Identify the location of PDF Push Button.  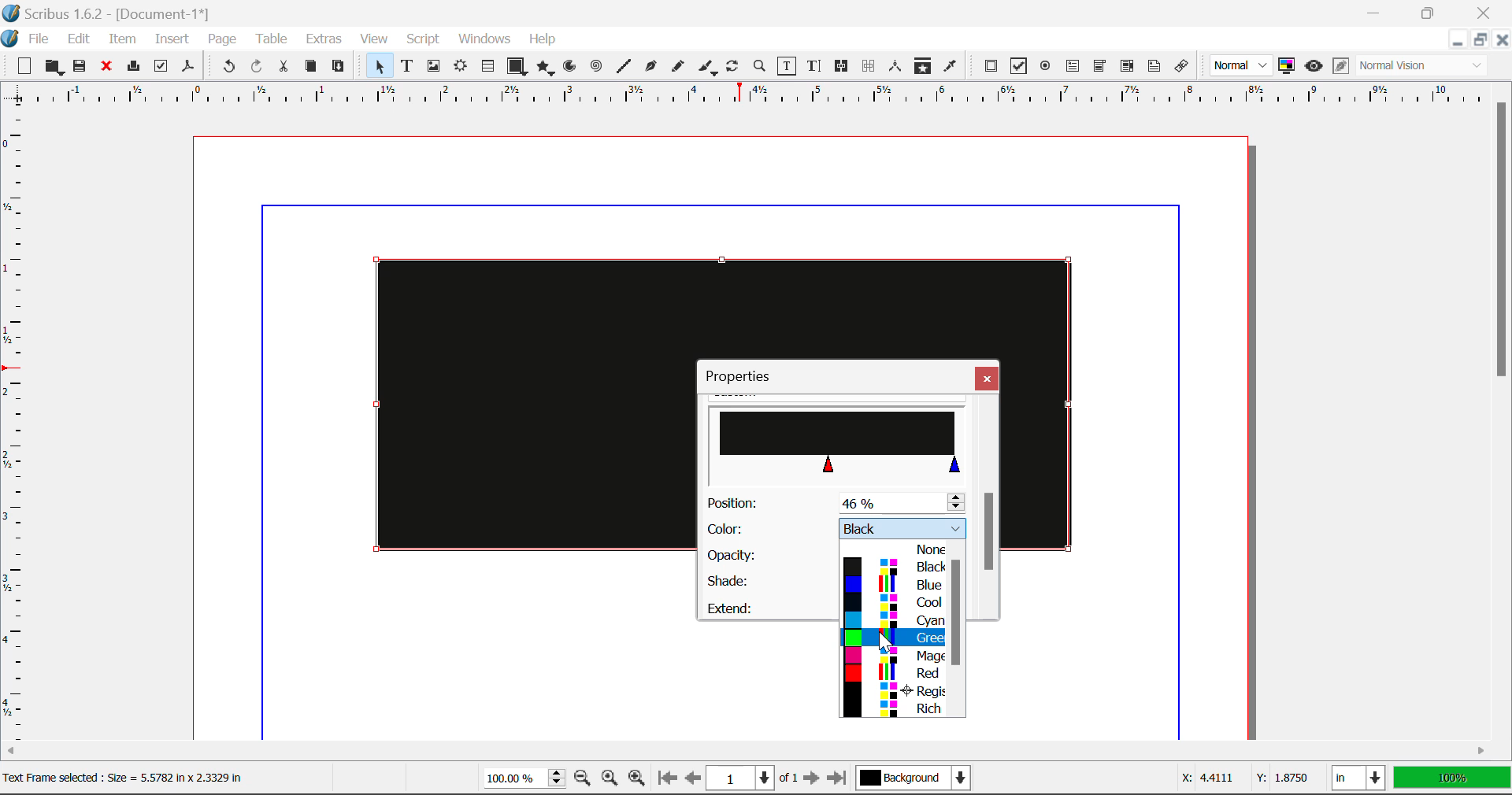
(991, 65).